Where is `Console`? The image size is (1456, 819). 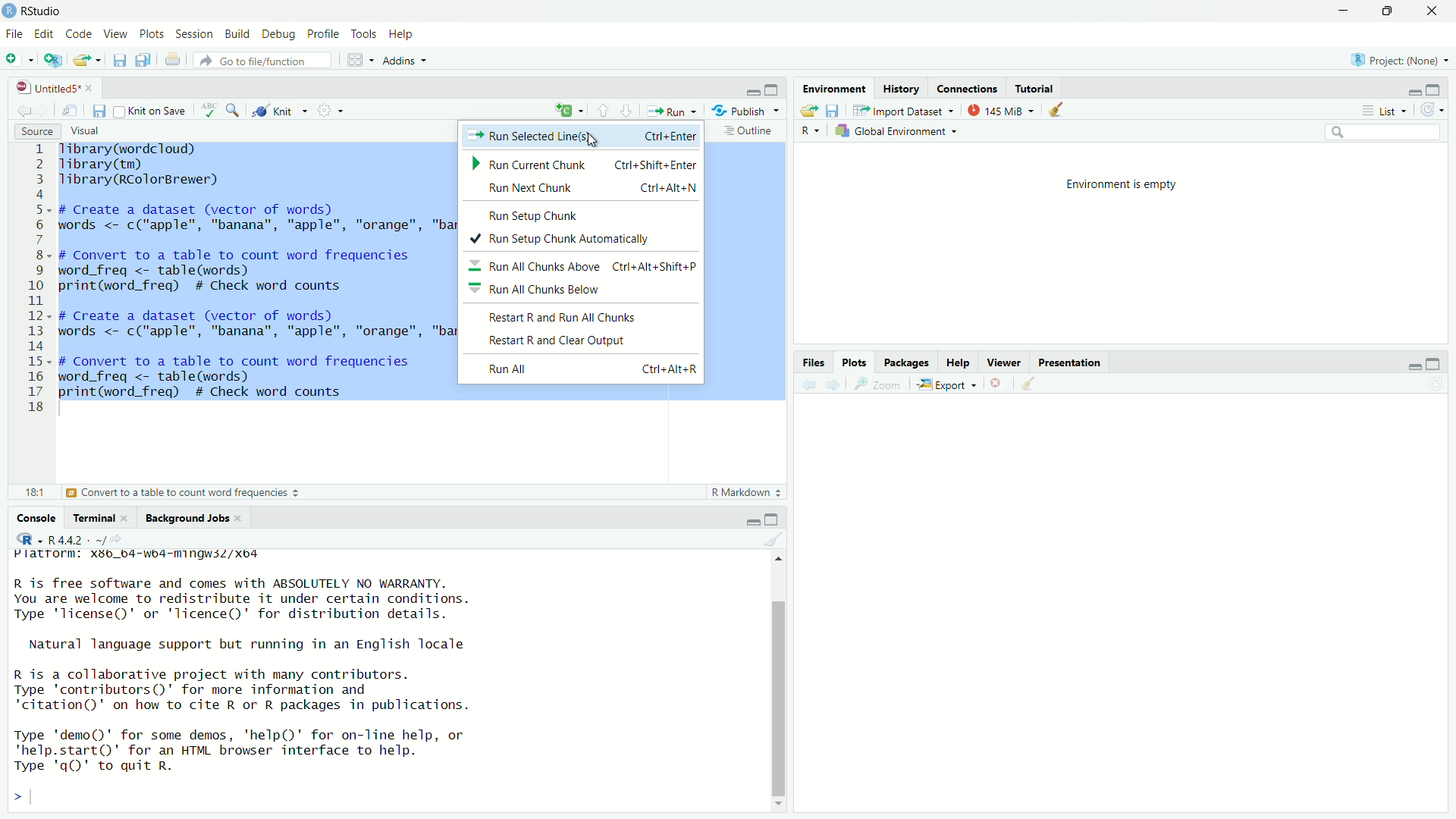 Console is located at coordinates (32, 517).